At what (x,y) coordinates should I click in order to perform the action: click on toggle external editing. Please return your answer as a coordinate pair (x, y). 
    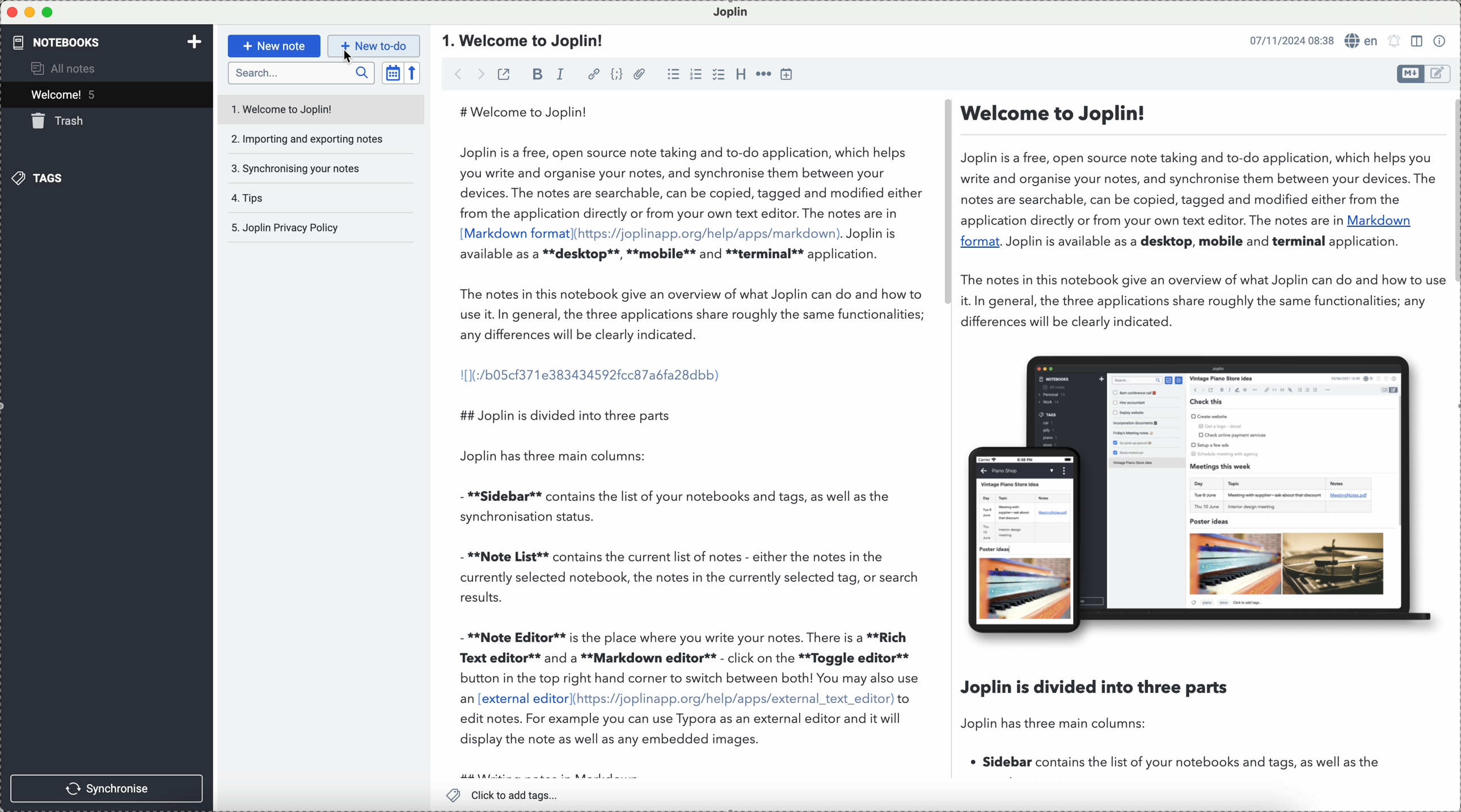
    Looking at the image, I should click on (504, 74).